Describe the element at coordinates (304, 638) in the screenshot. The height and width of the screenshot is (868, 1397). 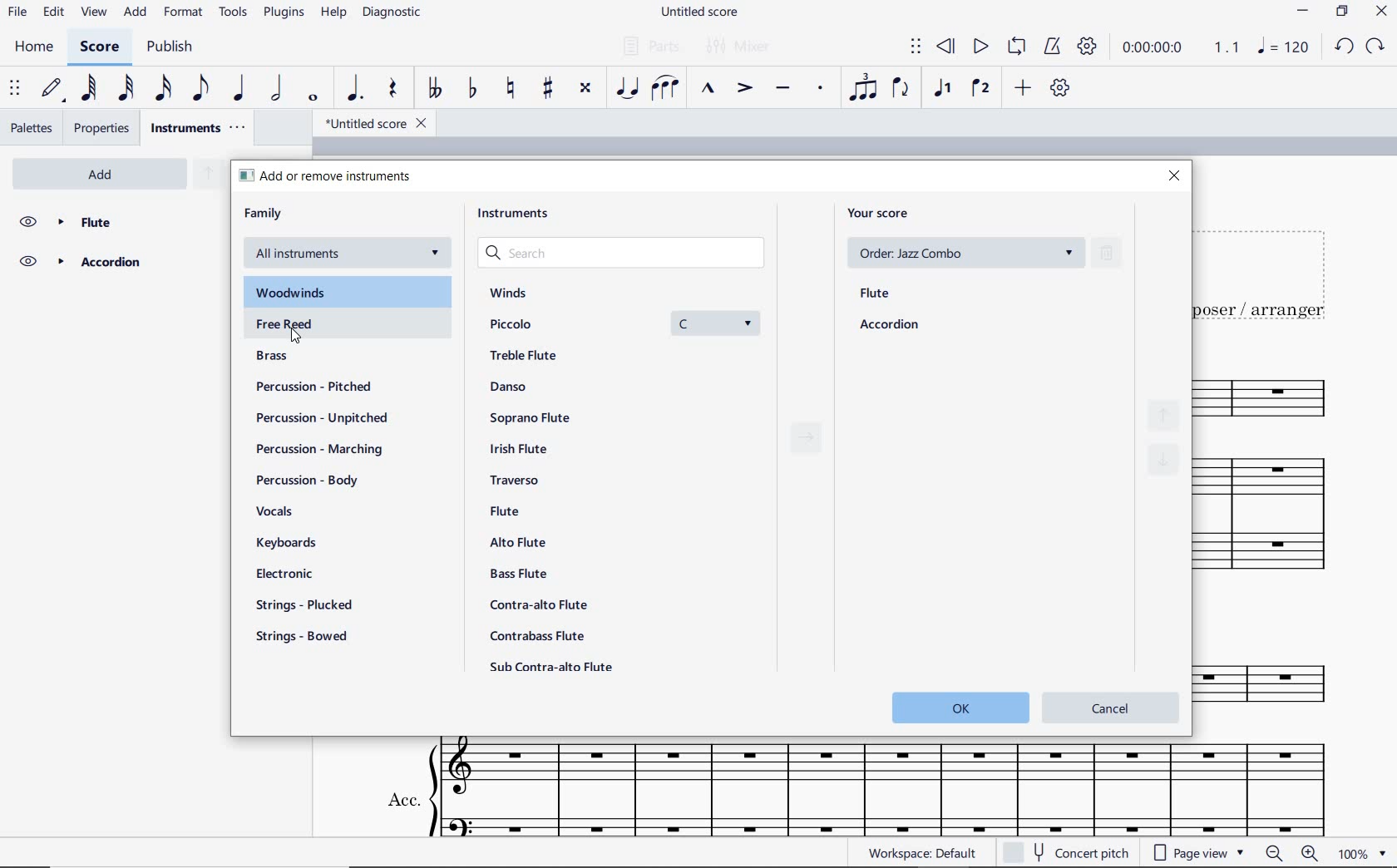
I see `strings - bowel` at that location.